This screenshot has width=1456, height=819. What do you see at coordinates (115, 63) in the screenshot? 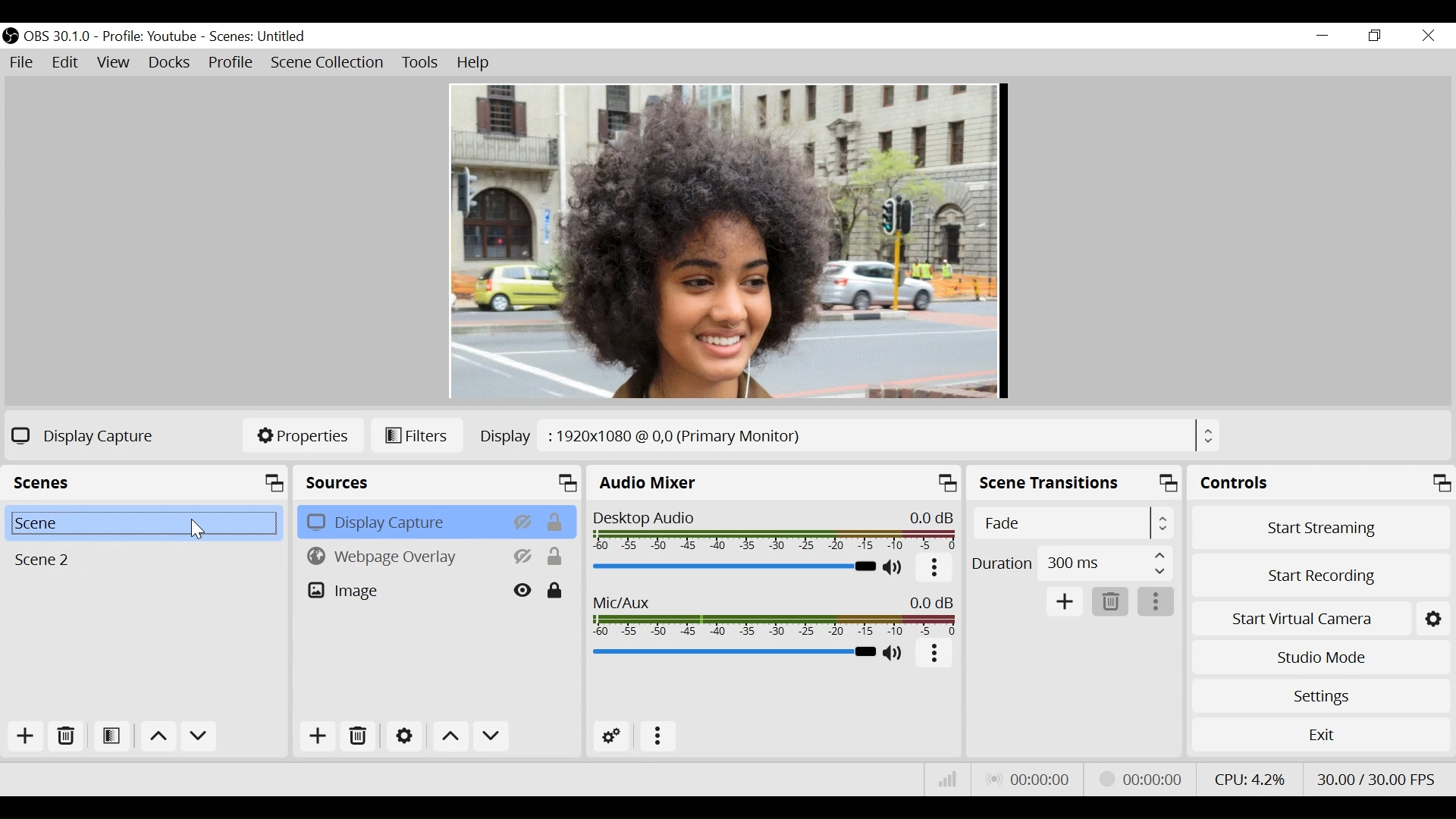
I see `View` at bounding box center [115, 63].